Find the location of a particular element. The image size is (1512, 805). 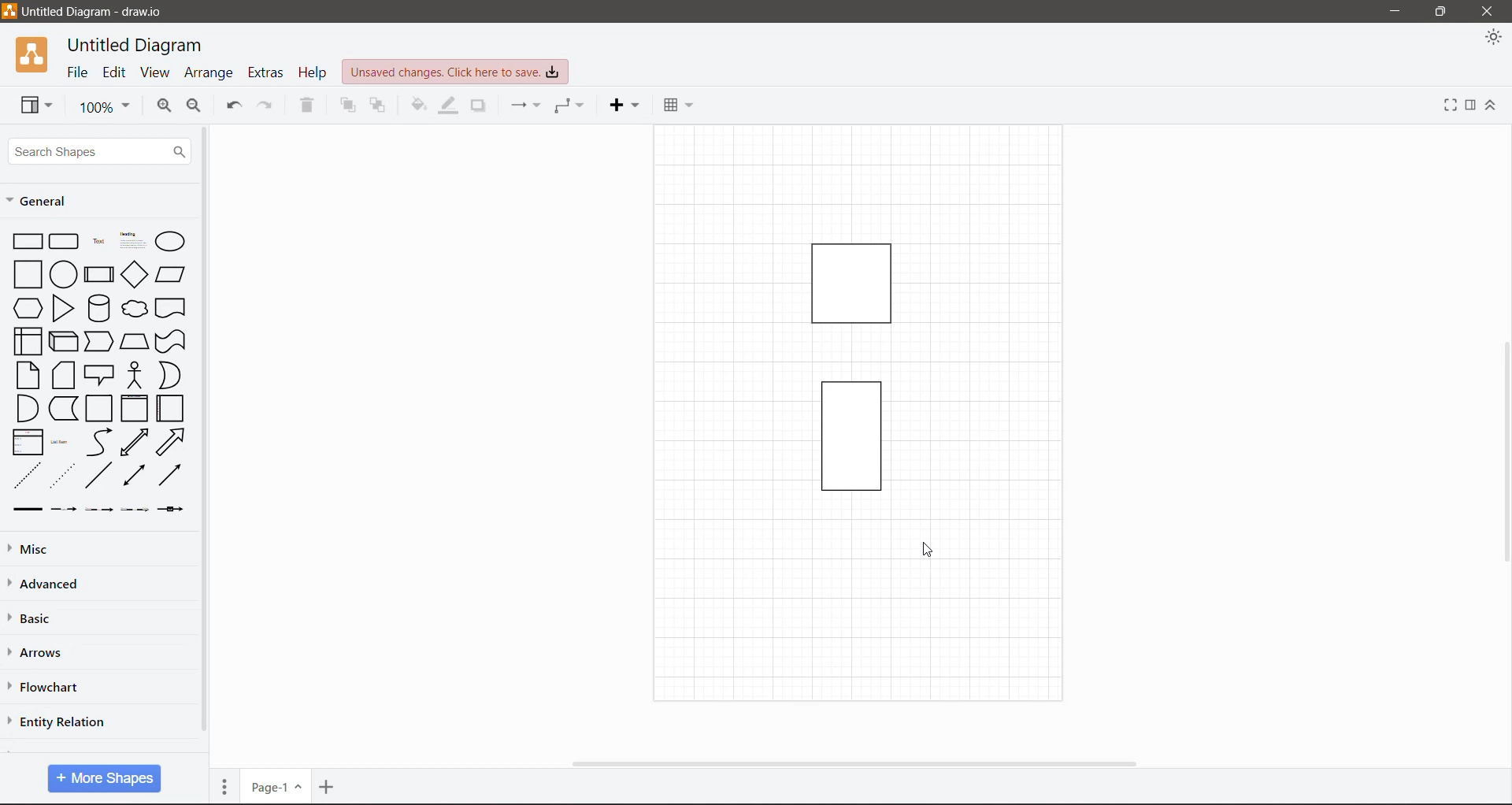

Insert Page is located at coordinates (328, 786).